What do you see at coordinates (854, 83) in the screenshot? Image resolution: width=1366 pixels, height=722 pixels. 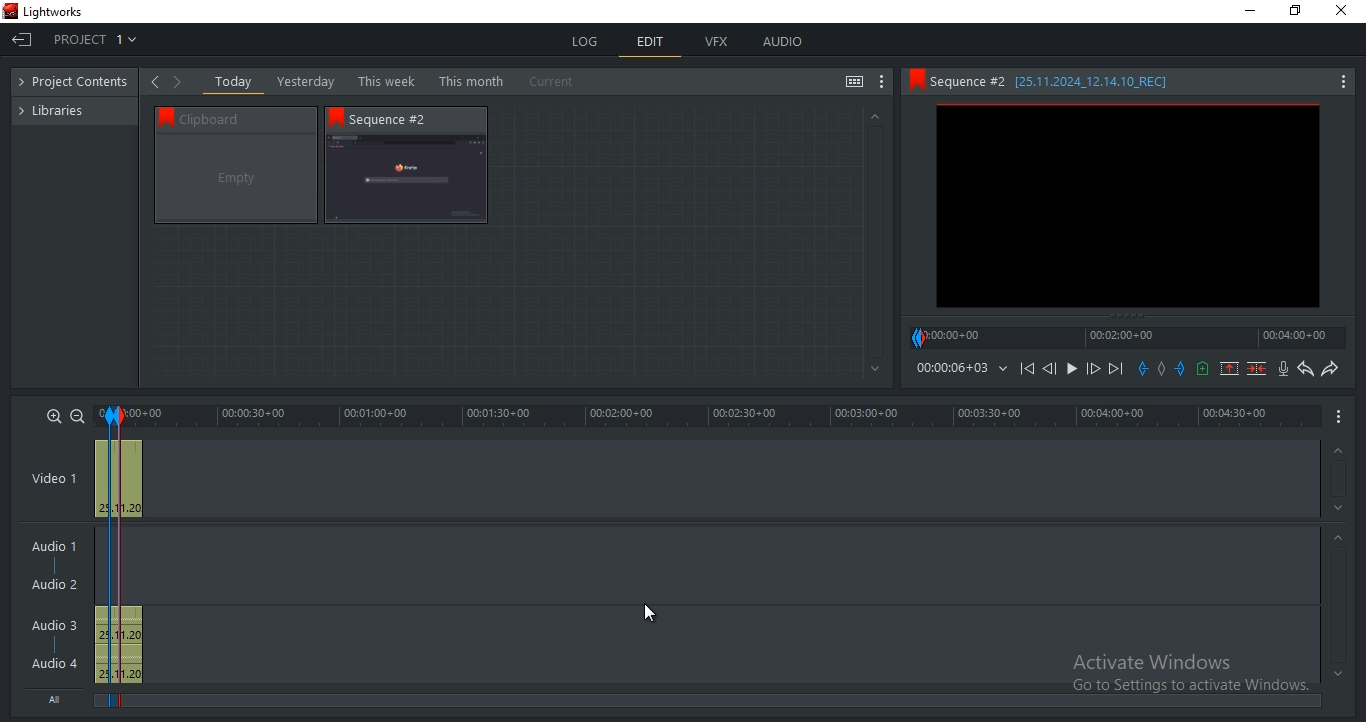 I see `toggle ` at bounding box center [854, 83].